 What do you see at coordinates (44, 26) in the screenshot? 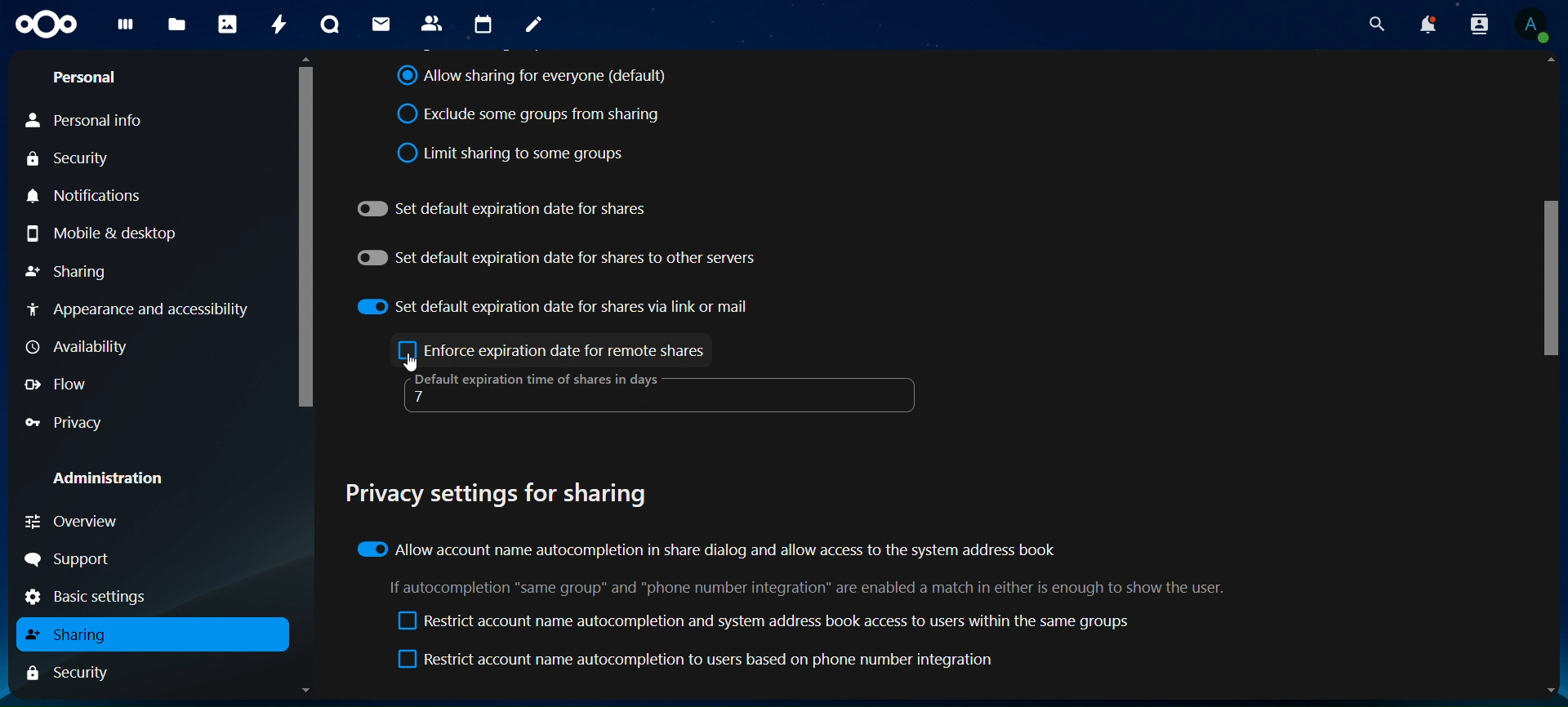
I see `icon` at bounding box center [44, 26].